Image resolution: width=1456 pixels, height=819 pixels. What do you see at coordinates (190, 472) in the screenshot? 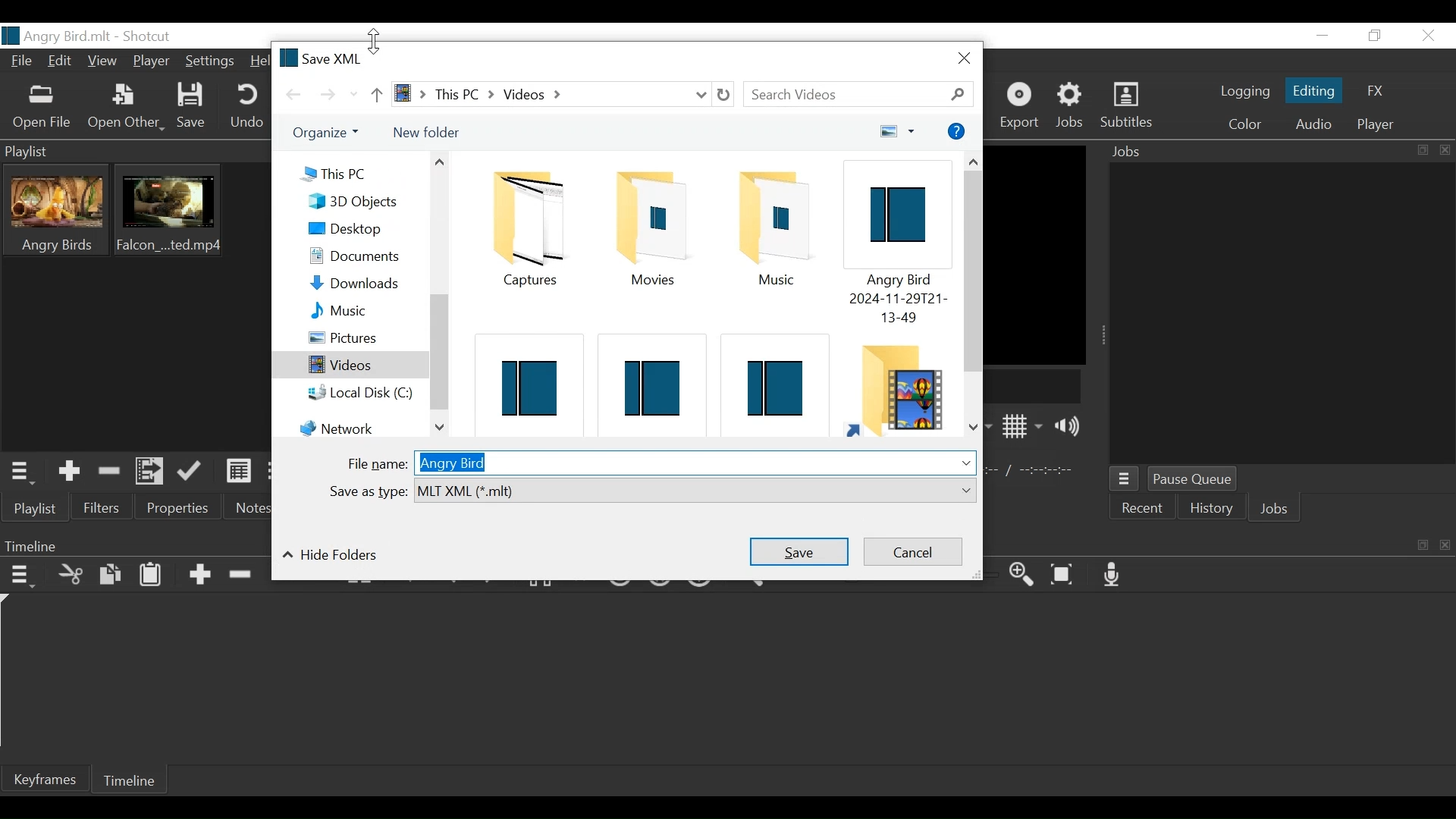
I see `Update` at bounding box center [190, 472].